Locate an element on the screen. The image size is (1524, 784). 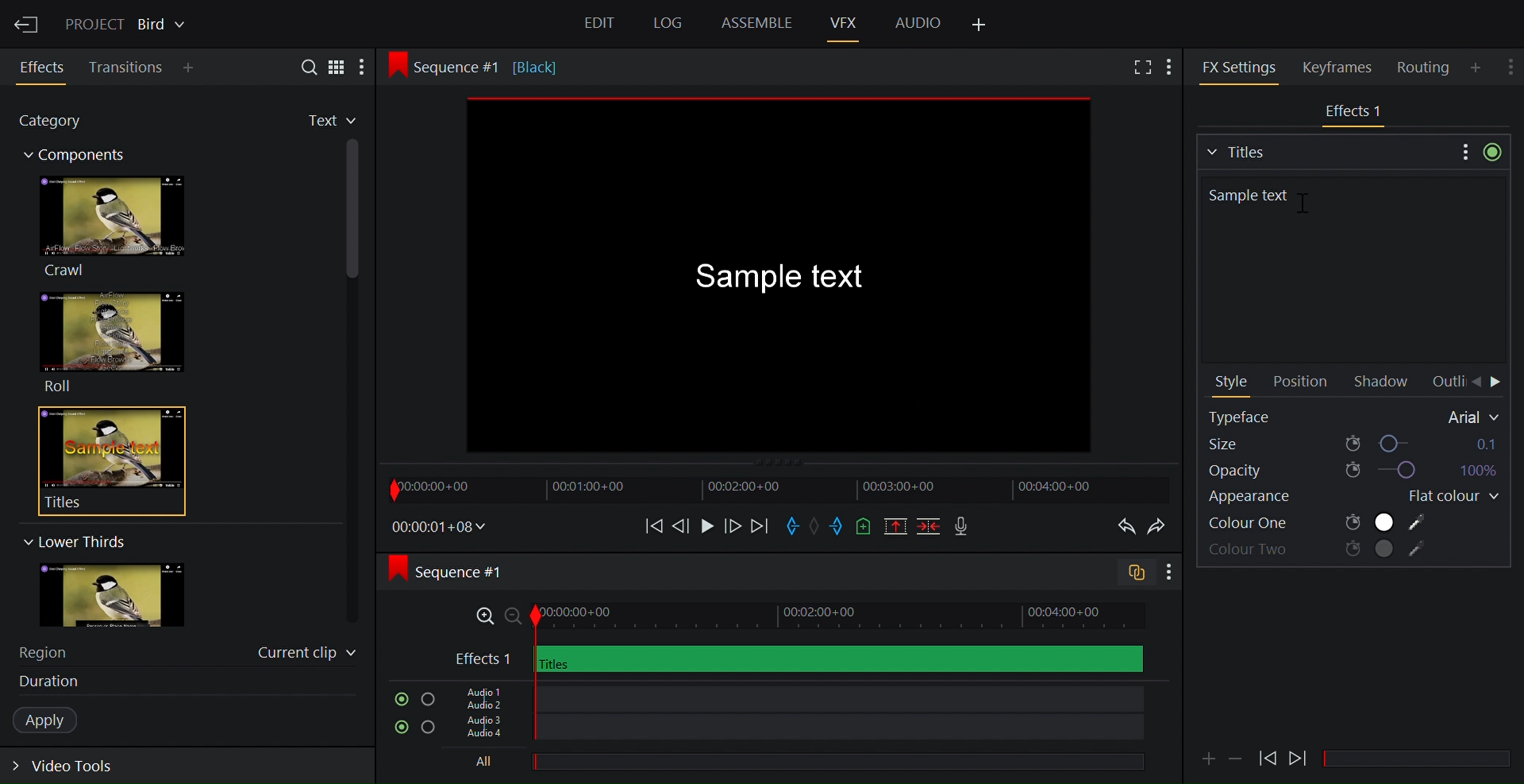
Shadow is located at coordinates (1385, 382).